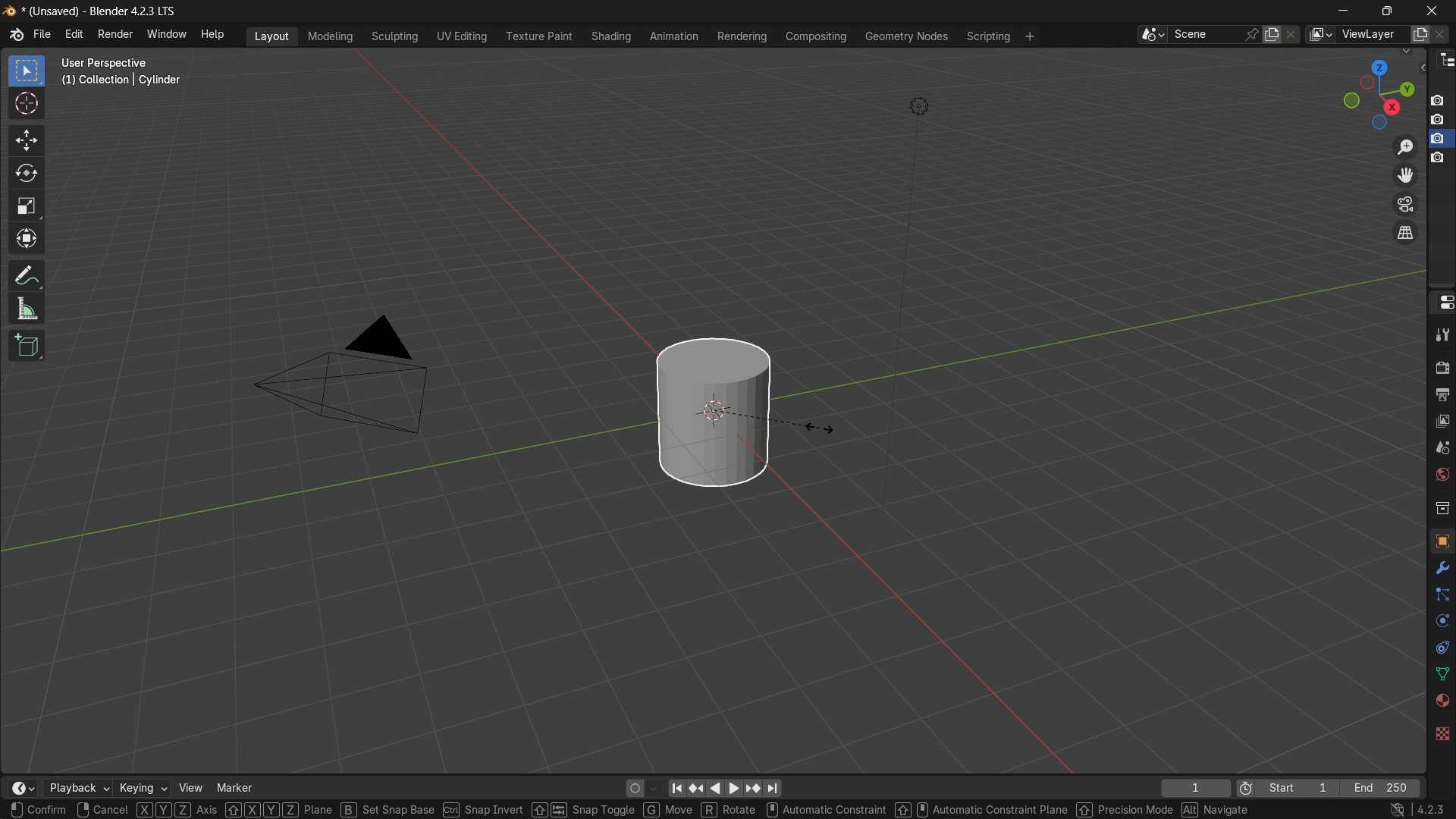  Describe the element at coordinates (741, 36) in the screenshot. I see `rendering` at that location.